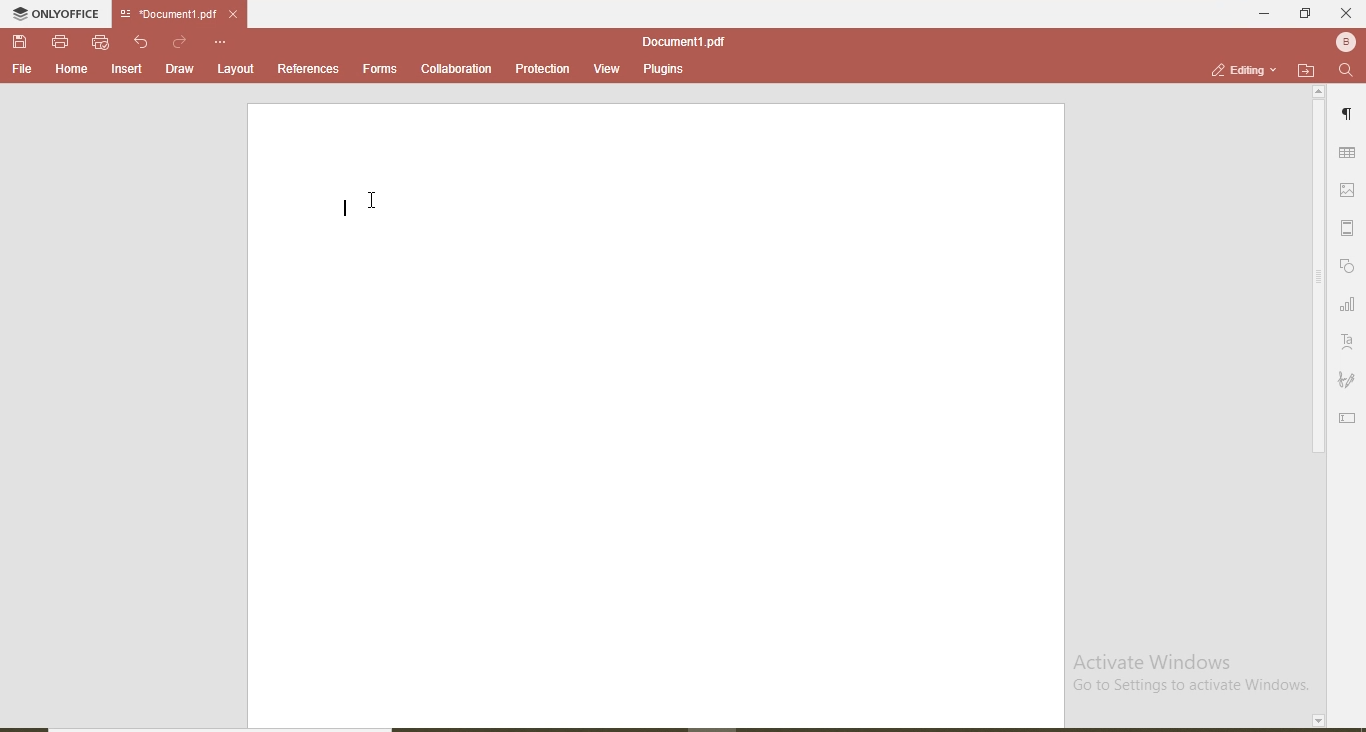  Describe the element at coordinates (1344, 41) in the screenshot. I see `user` at that location.